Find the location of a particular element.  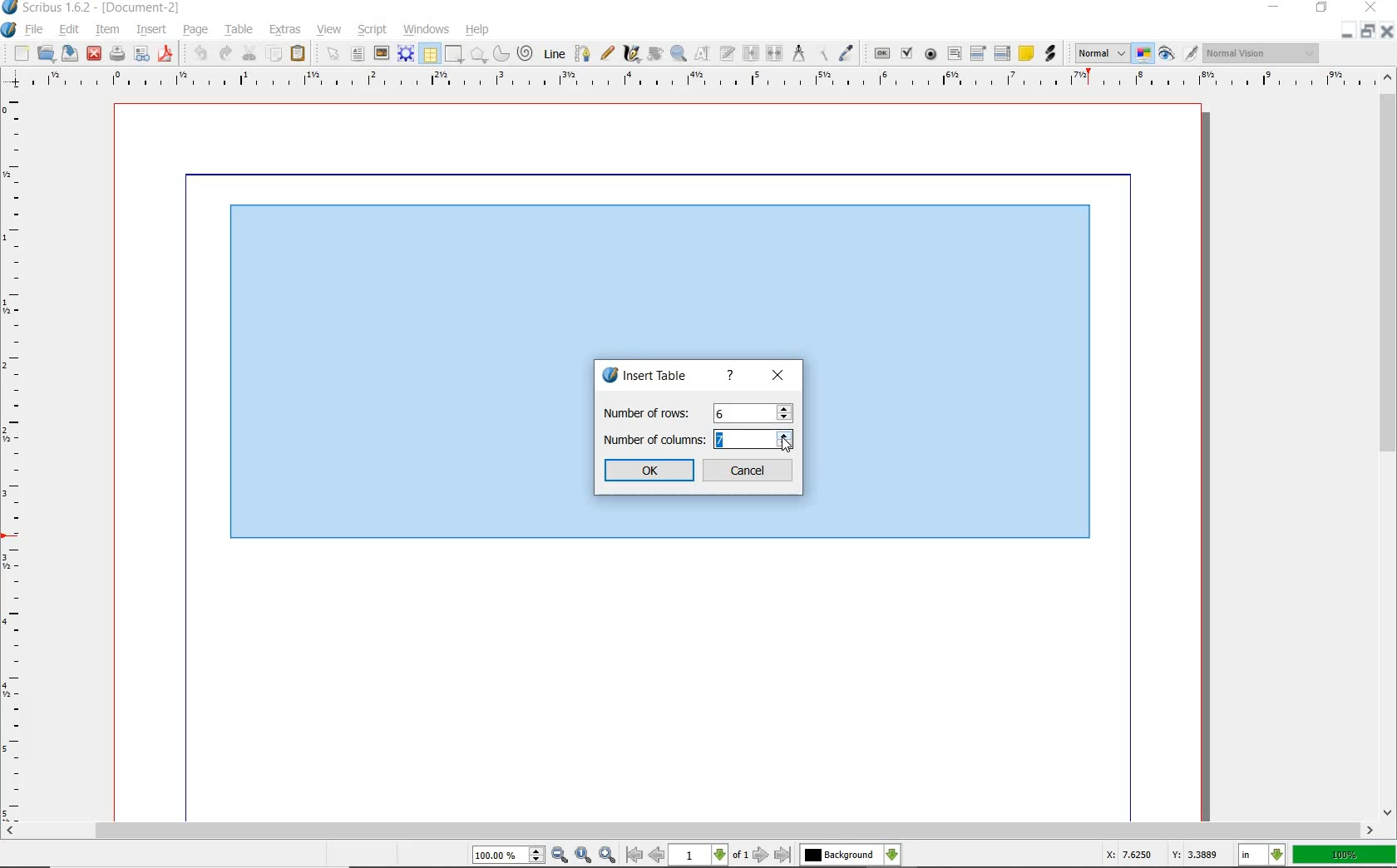

extras is located at coordinates (284, 30).